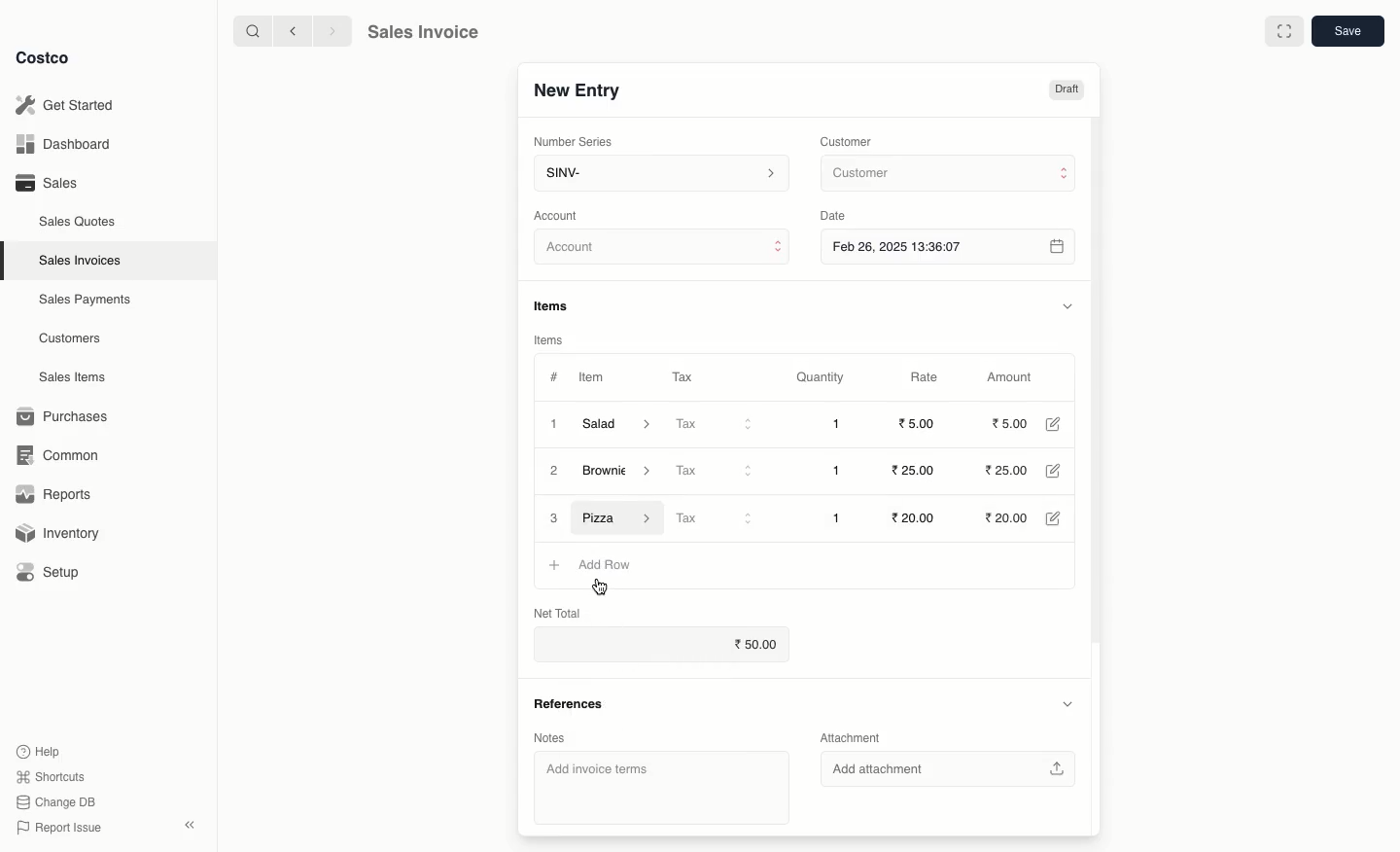 This screenshot has height=852, width=1400. I want to click on Item, so click(594, 379).